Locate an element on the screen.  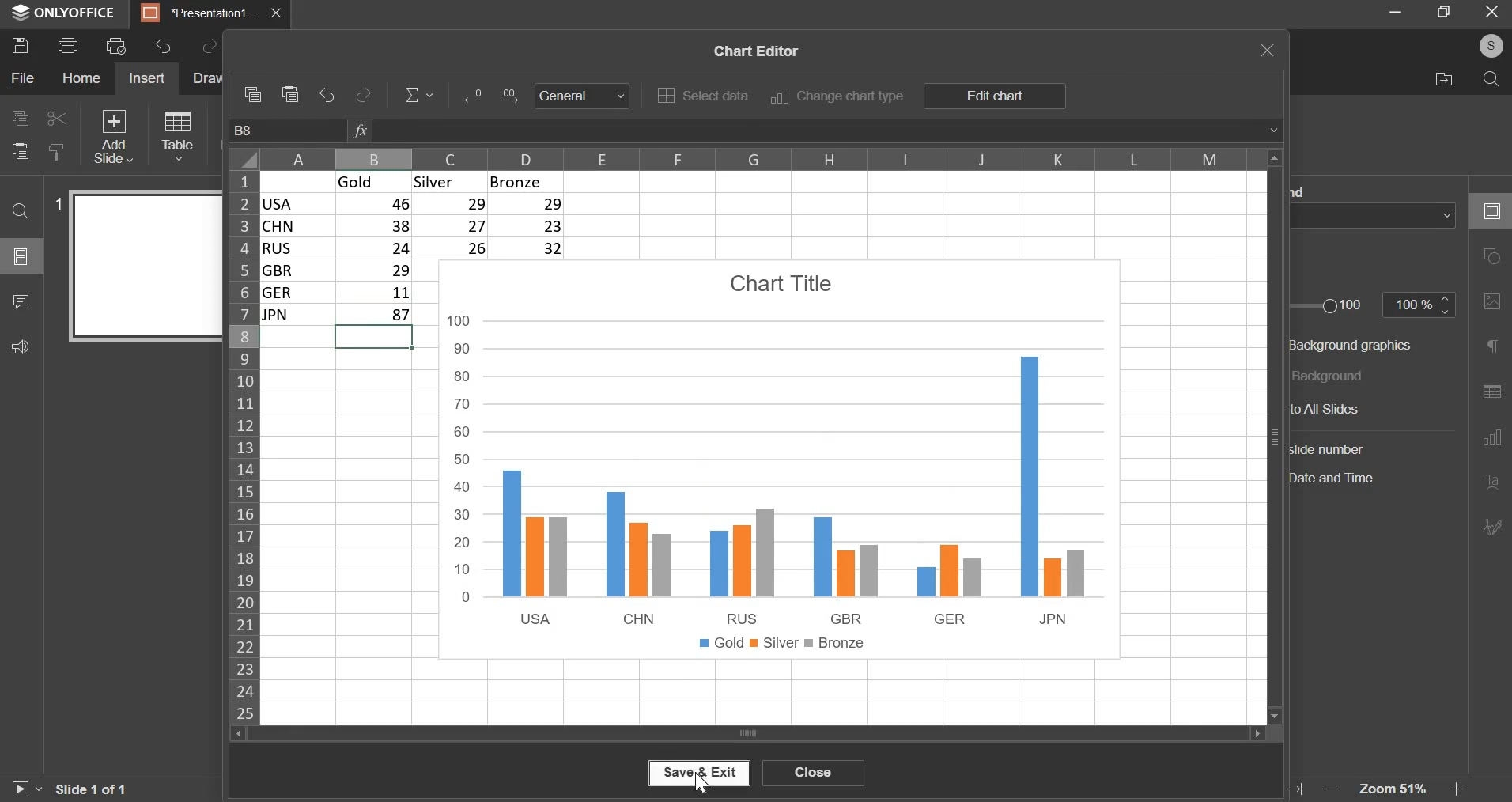
opacity is located at coordinates (1421, 306).